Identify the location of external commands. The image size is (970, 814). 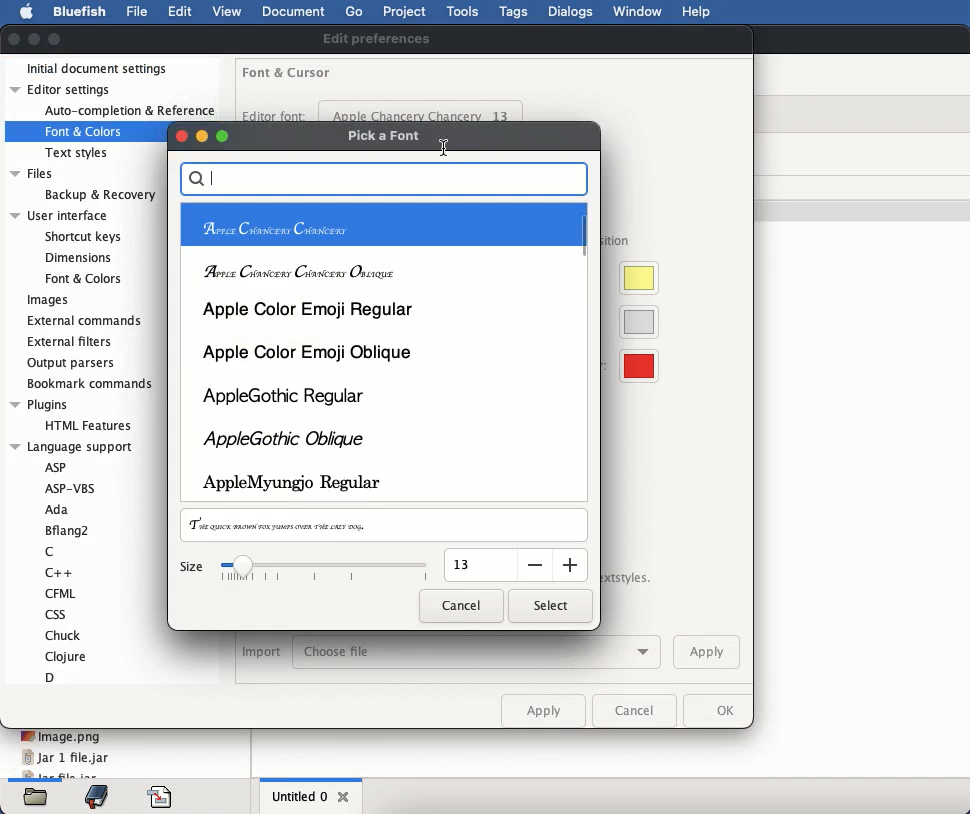
(84, 321).